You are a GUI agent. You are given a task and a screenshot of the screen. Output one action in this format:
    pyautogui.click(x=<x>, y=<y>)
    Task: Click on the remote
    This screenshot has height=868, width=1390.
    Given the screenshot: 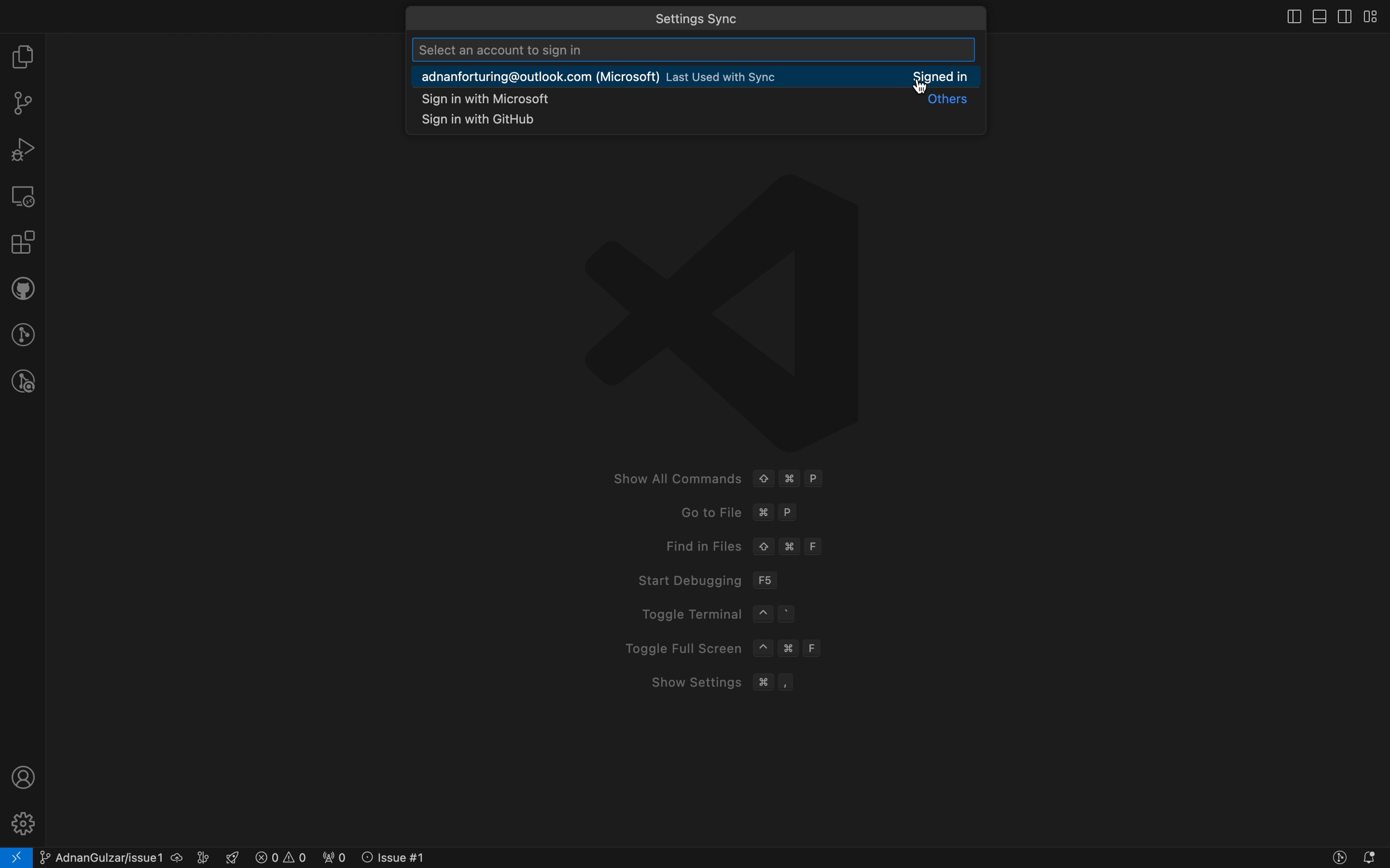 What is the action you would take?
    pyautogui.click(x=24, y=196)
    